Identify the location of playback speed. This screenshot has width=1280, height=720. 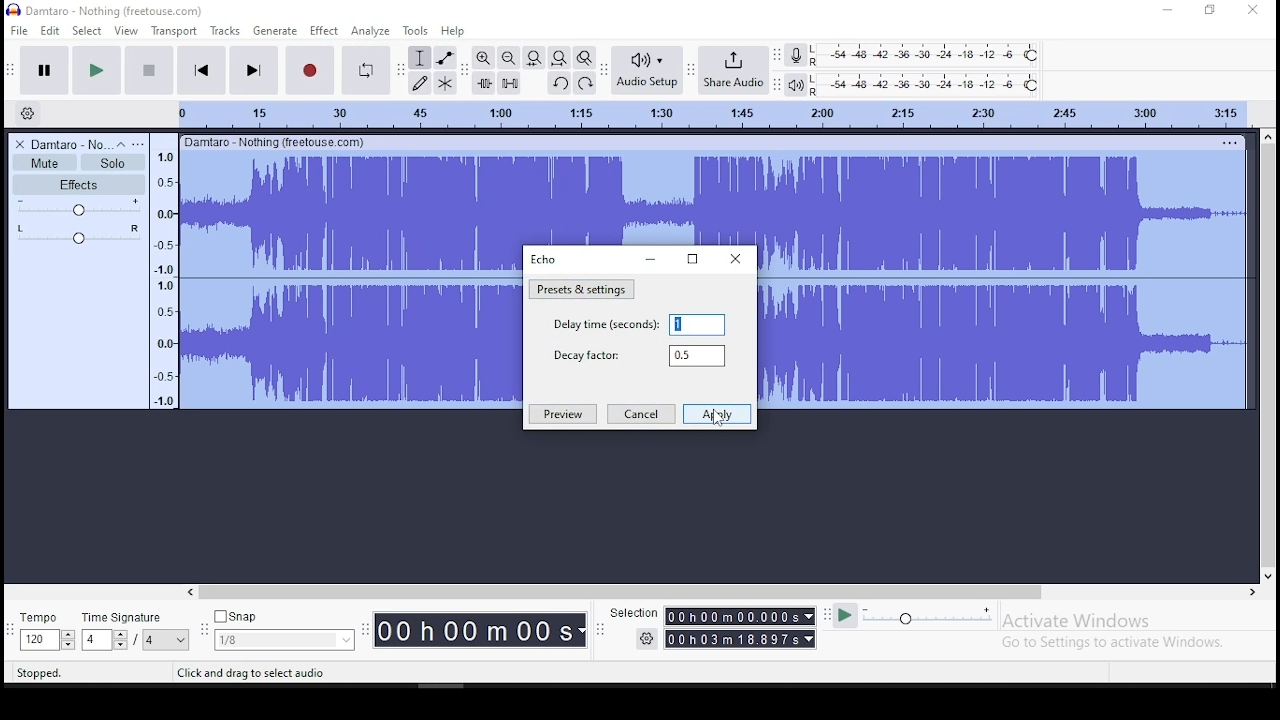
(928, 617).